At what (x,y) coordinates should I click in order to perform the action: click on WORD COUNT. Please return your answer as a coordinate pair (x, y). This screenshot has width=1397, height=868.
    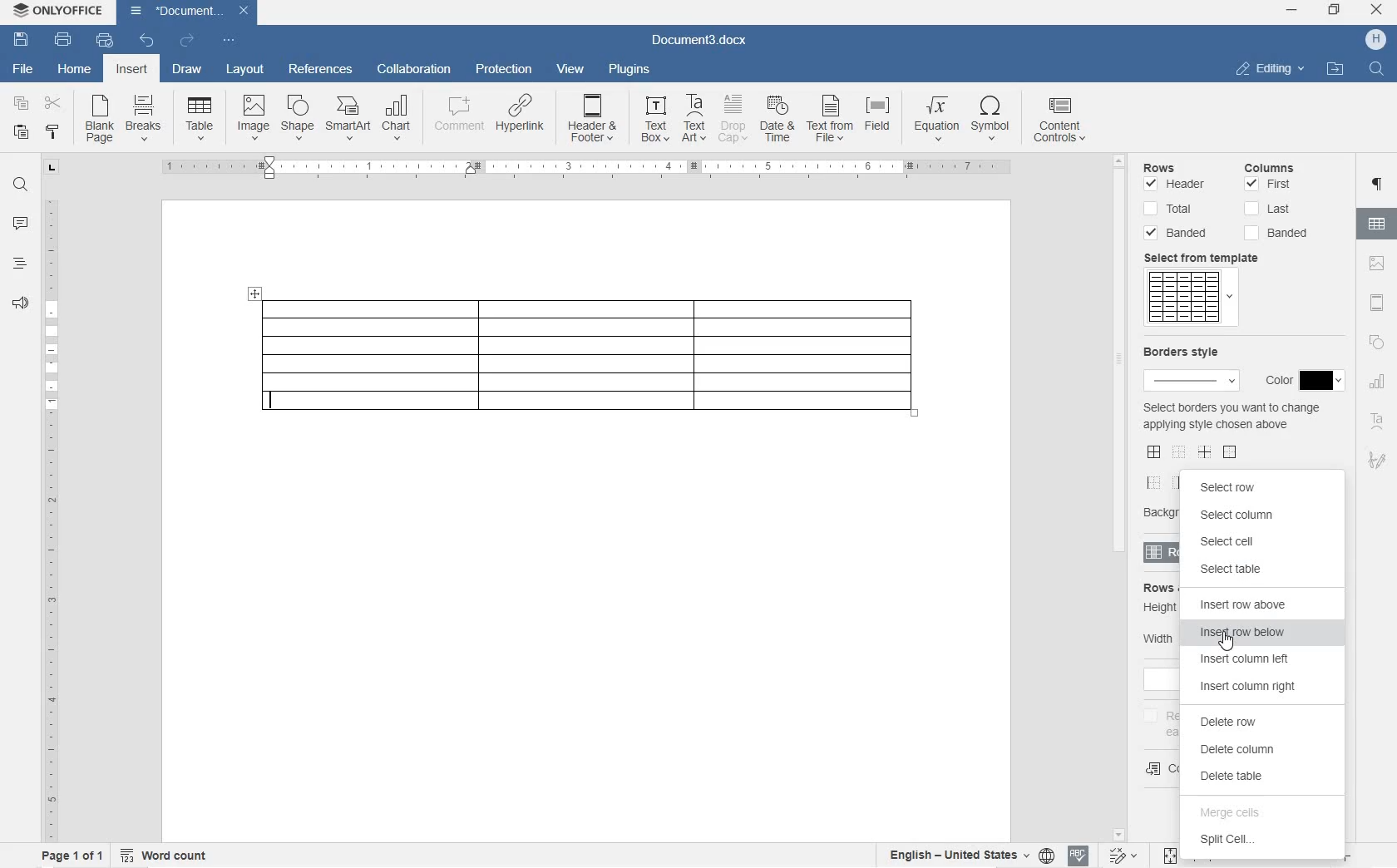
    Looking at the image, I should click on (164, 853).